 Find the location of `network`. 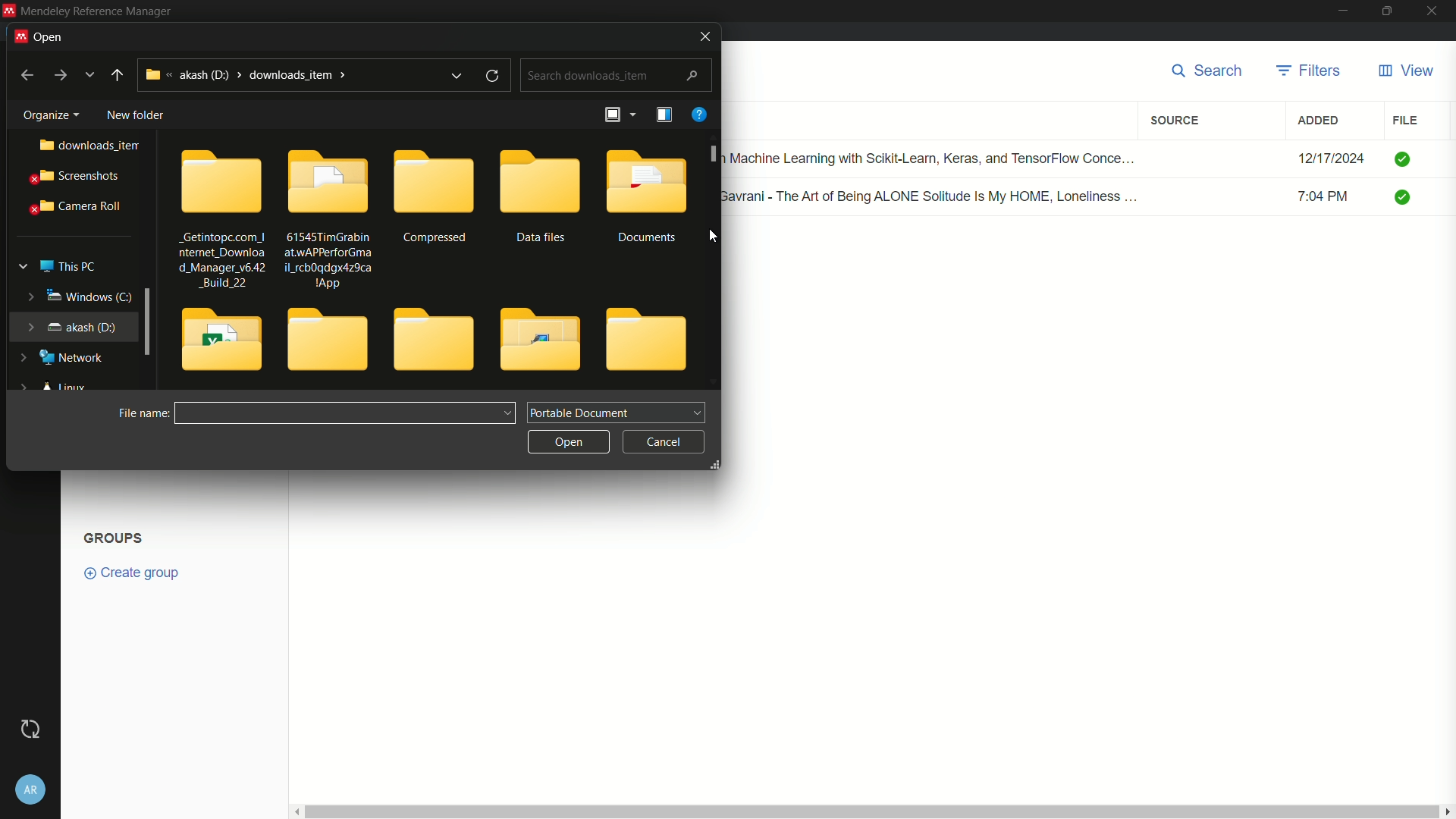

network is located at coordinates (64, 358).